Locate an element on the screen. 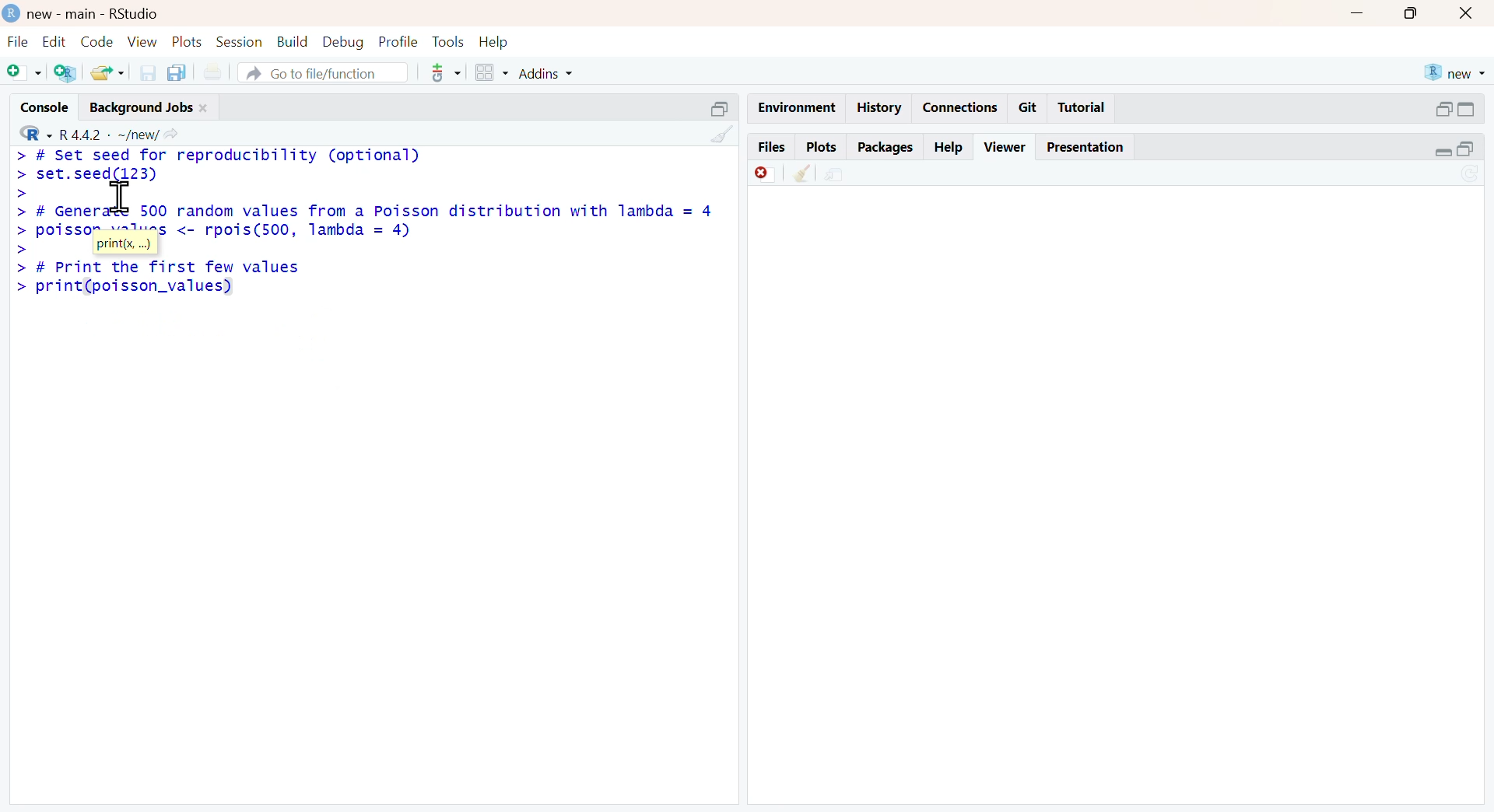  R is located at coordinates (37, 132).